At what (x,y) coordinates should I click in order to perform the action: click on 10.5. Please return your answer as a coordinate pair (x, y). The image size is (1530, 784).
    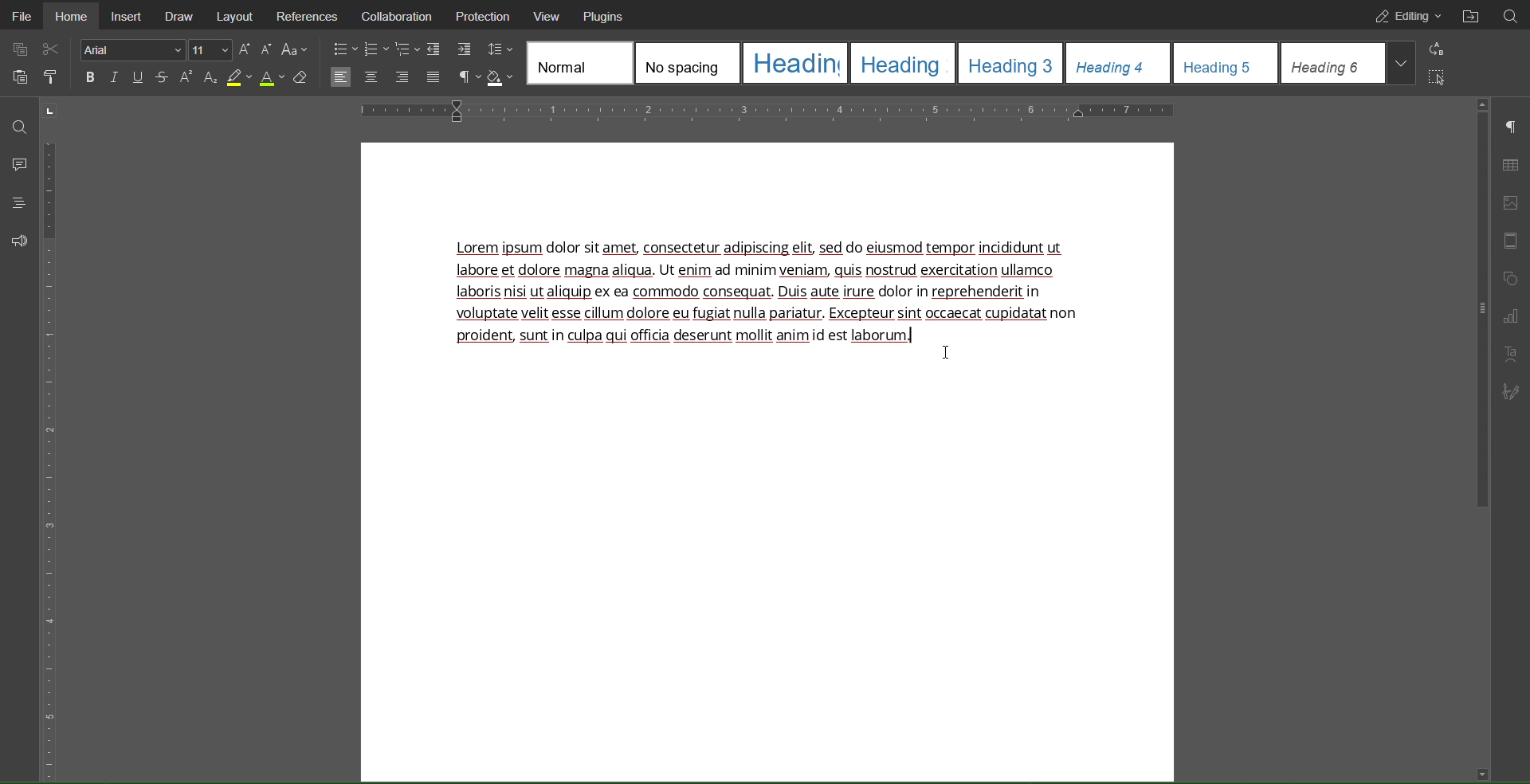
    Looking at the image, I should click on (210, 51).